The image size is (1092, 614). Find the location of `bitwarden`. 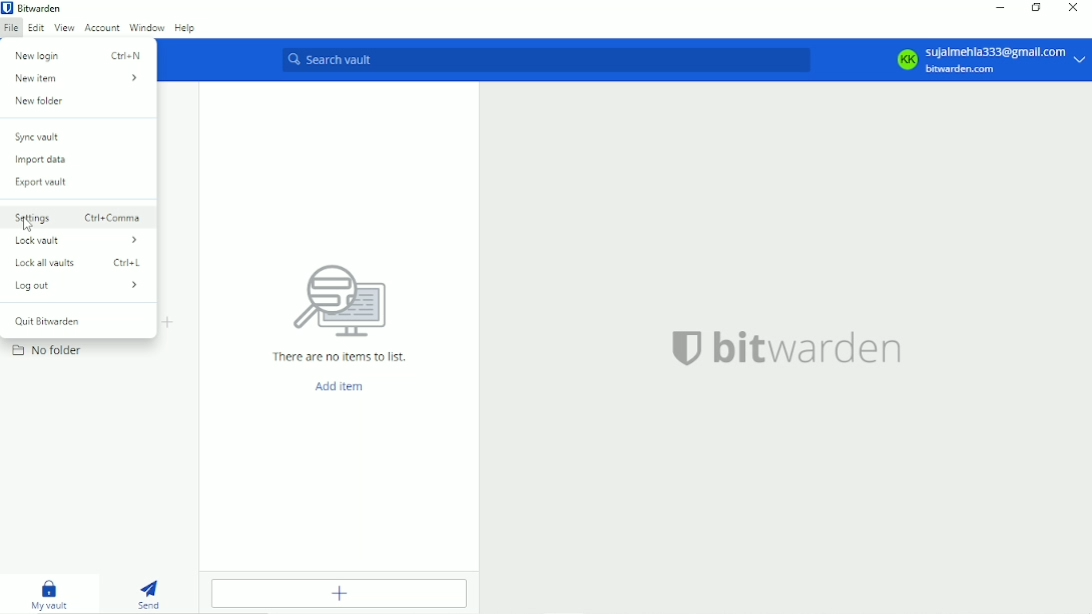

bitwarden is located at coordinates (781, 349).